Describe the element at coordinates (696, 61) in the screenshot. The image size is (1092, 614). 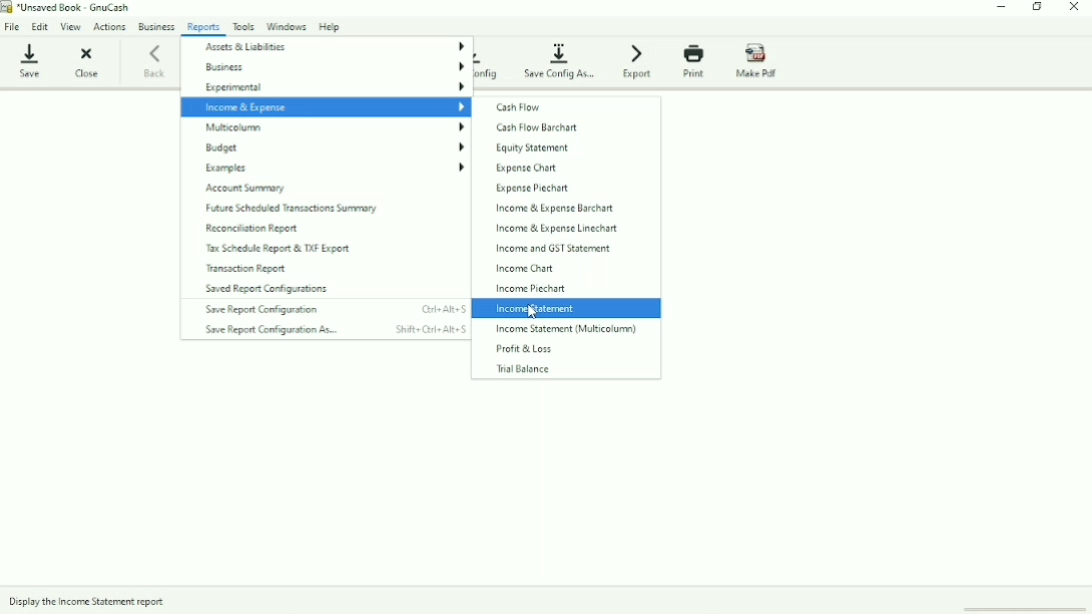
I see `Print` at that location.